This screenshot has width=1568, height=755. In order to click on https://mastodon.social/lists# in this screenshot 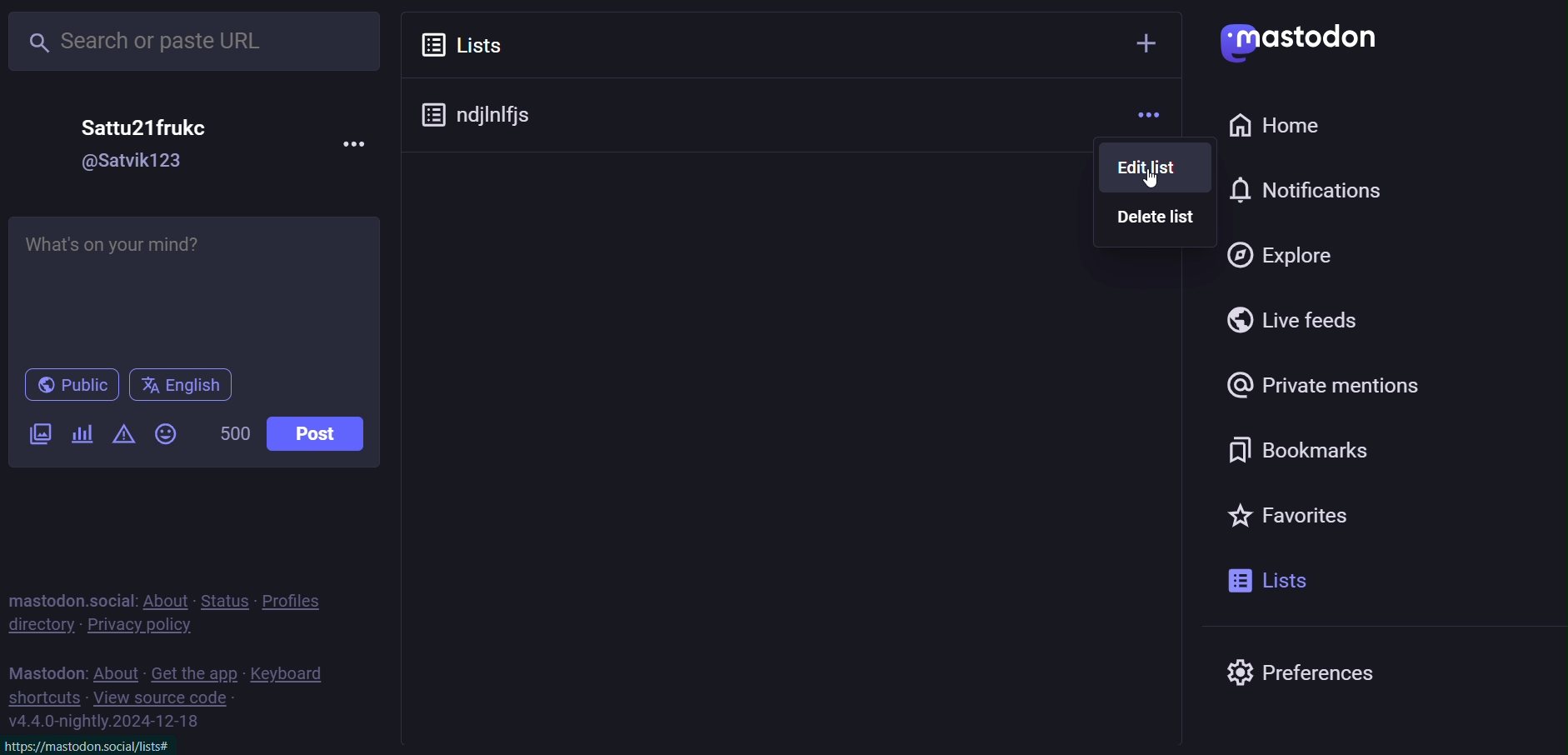, I will do `click(95, 742)`.